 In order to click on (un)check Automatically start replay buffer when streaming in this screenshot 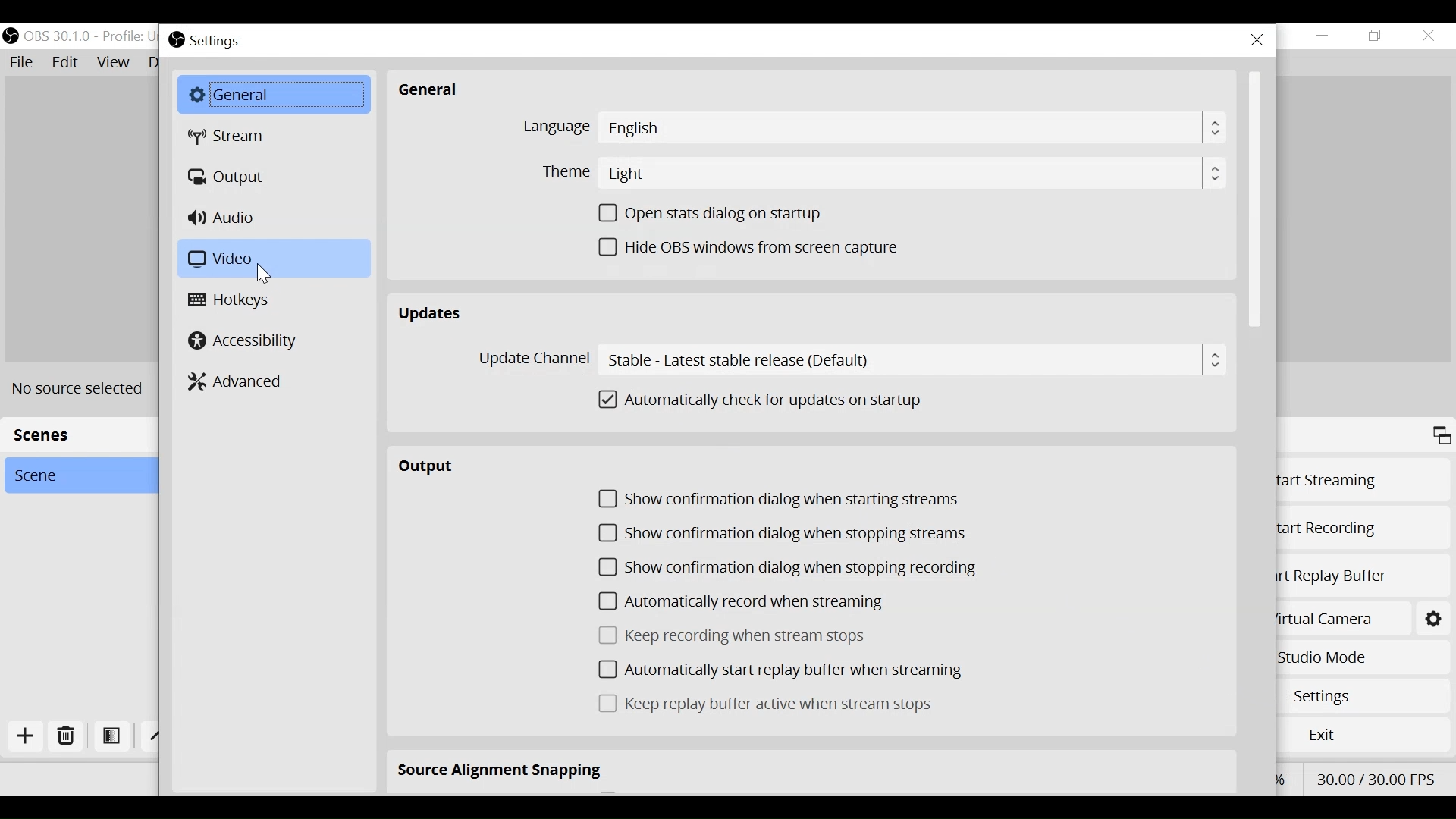, I will do `click(785, 670)`.